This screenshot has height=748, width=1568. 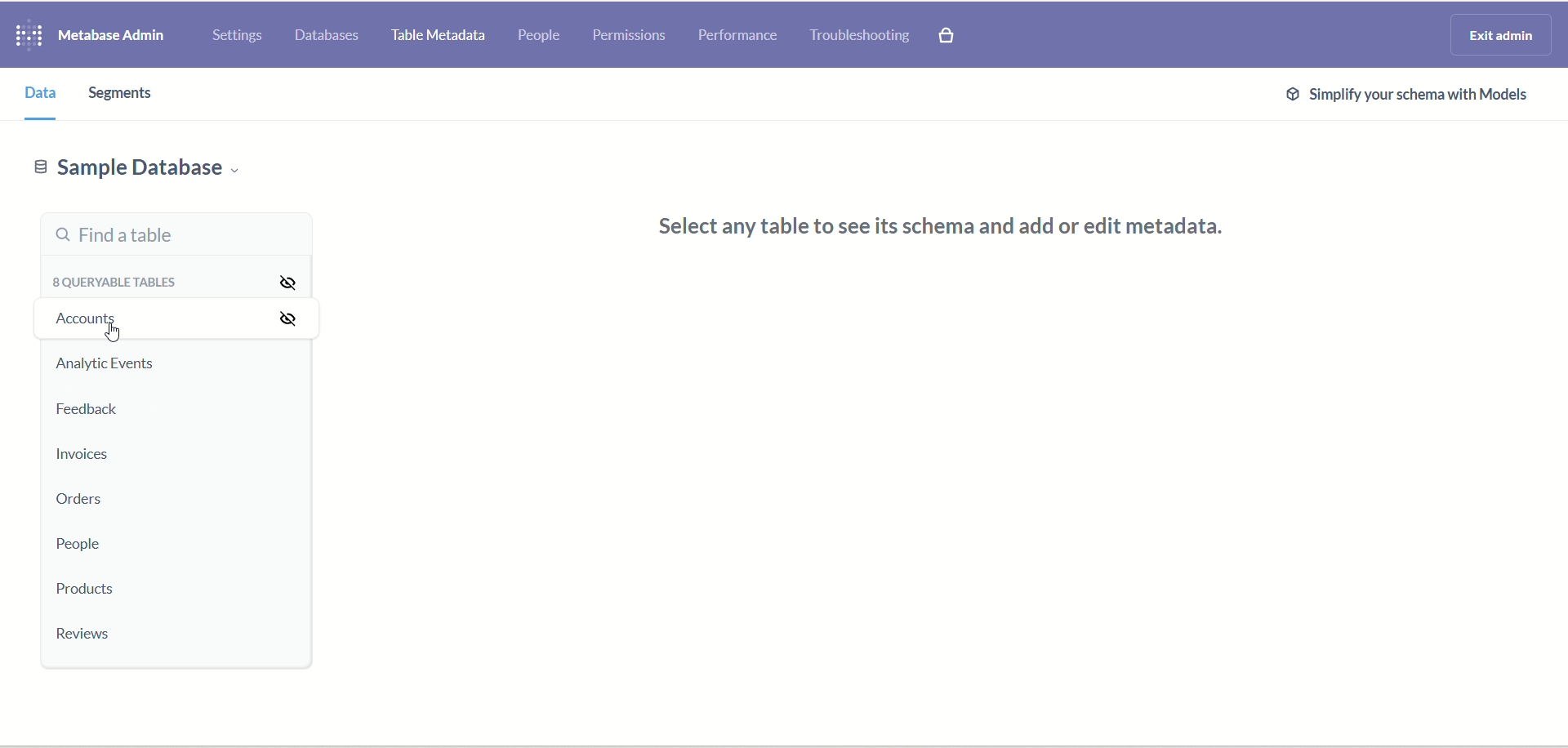 I want to click on visibility , so click(x=291, y=284).